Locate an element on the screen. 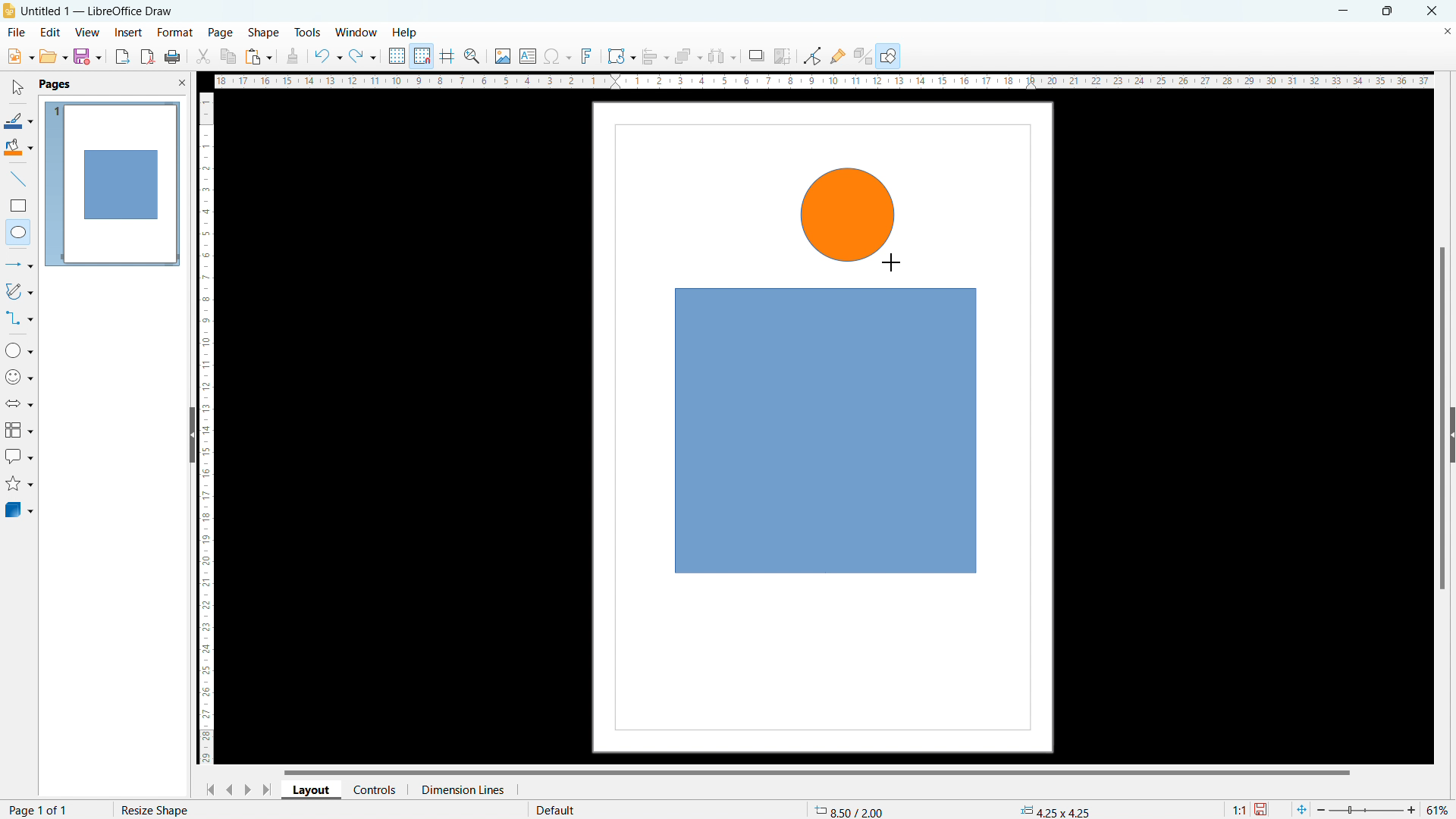  elipse is located at coordinates (18, 231).